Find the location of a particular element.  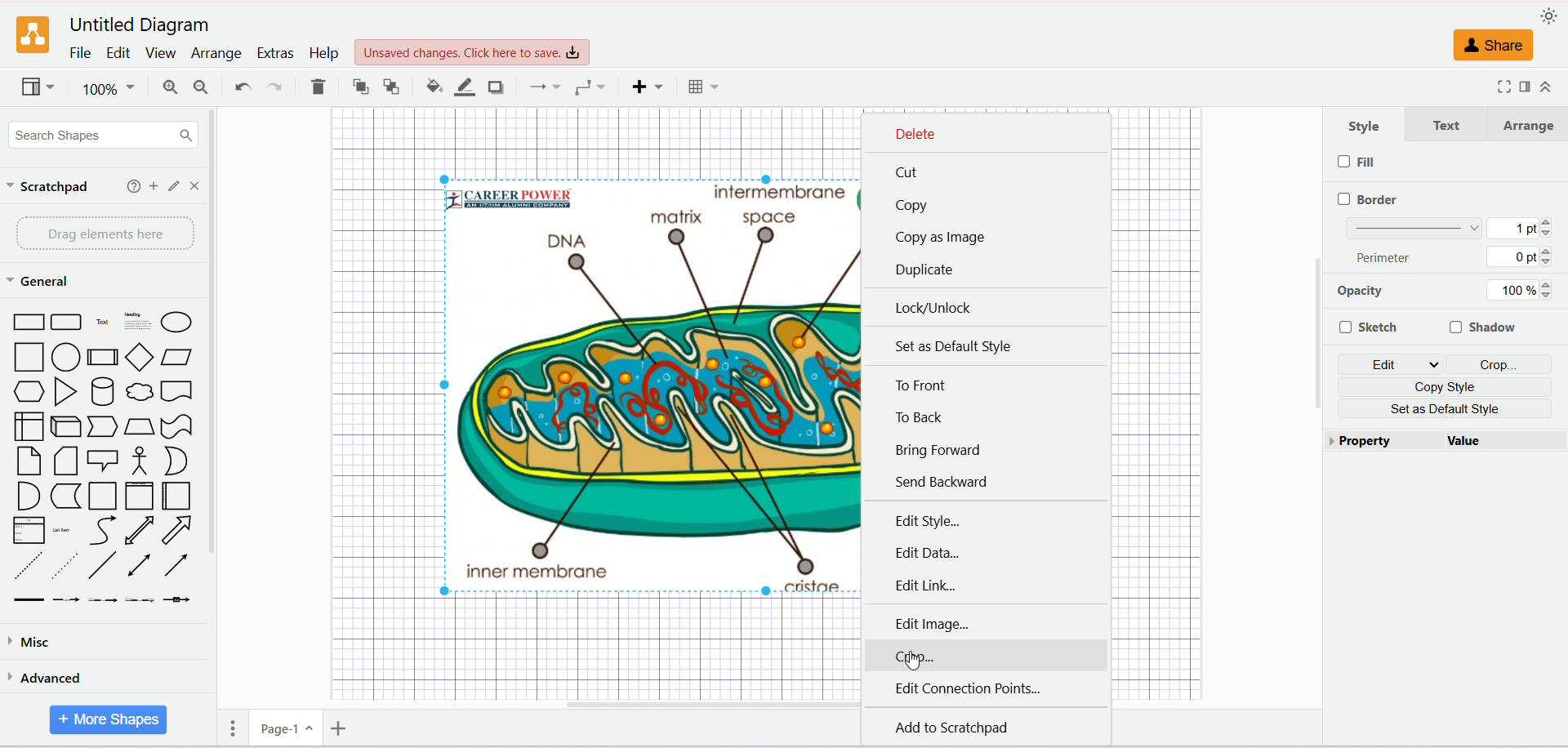

shadow is located at coordinates (1483, 328).